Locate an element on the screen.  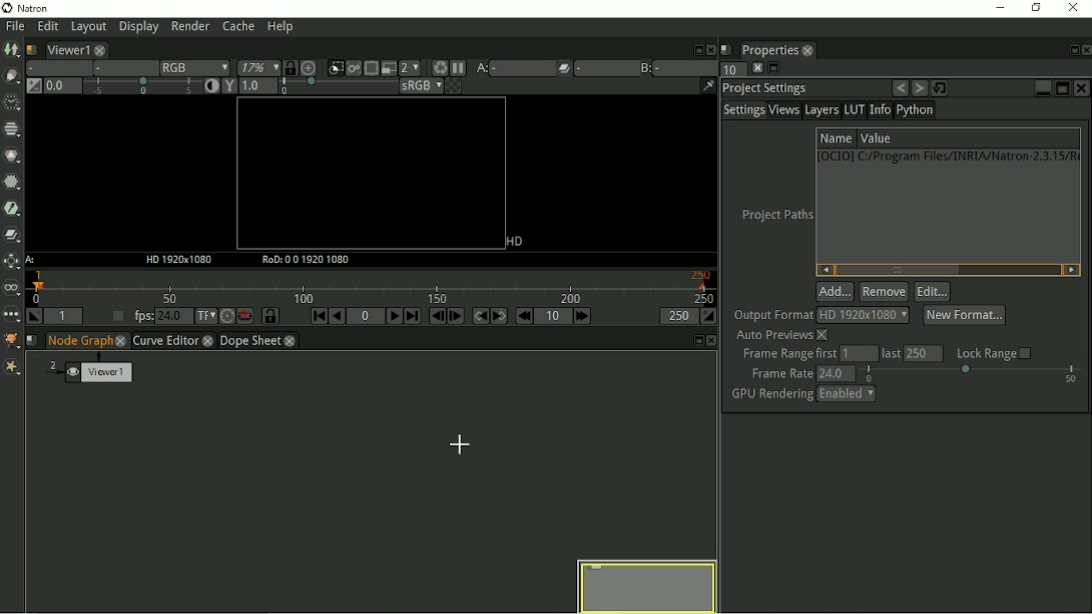
frame rate is located at coordinates (907, 373).